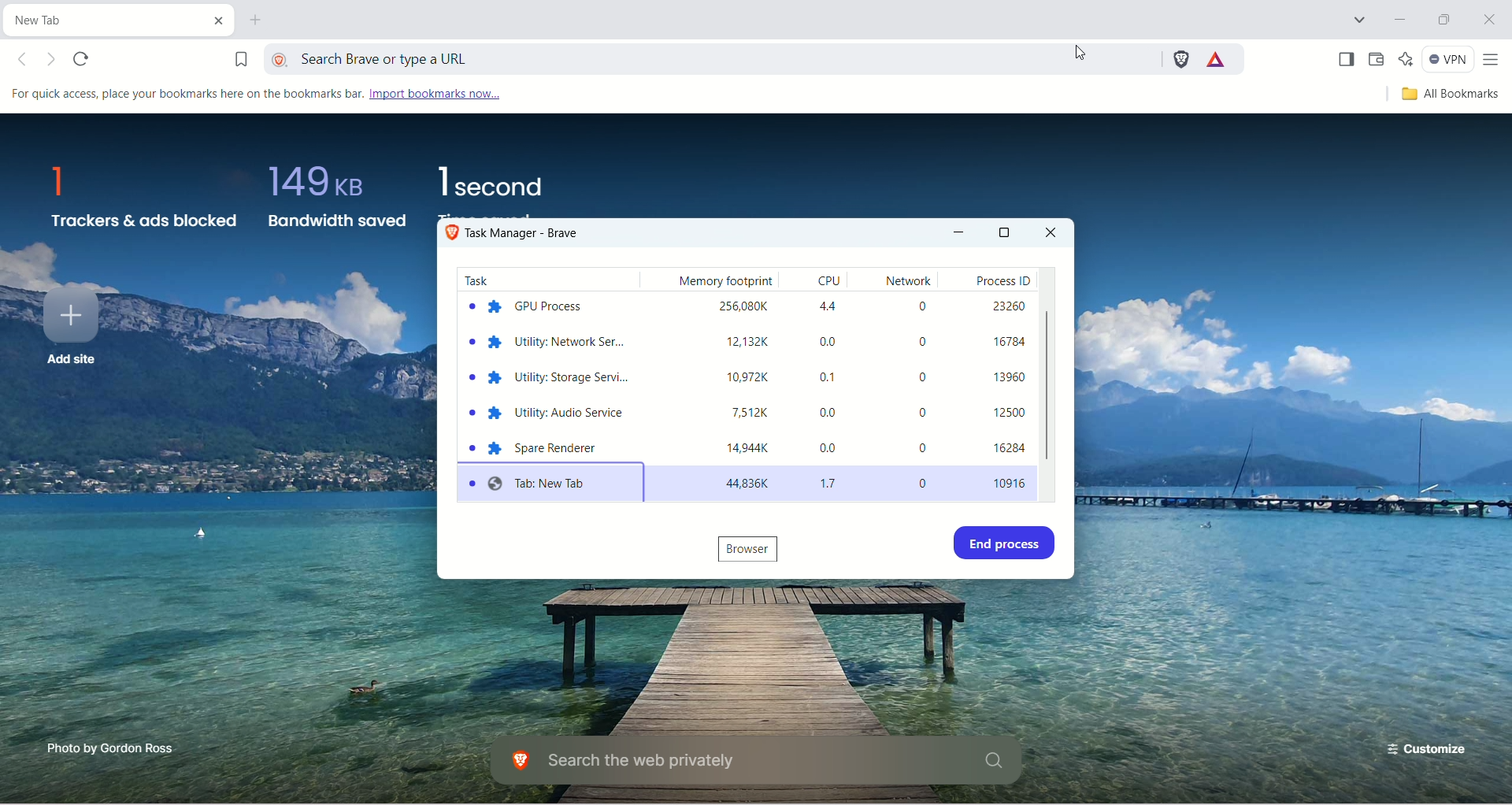 The image size is (1512, 805). Describe the element at coordinates (729, 386) in the screenshot. I see `memory footprint` at that location.